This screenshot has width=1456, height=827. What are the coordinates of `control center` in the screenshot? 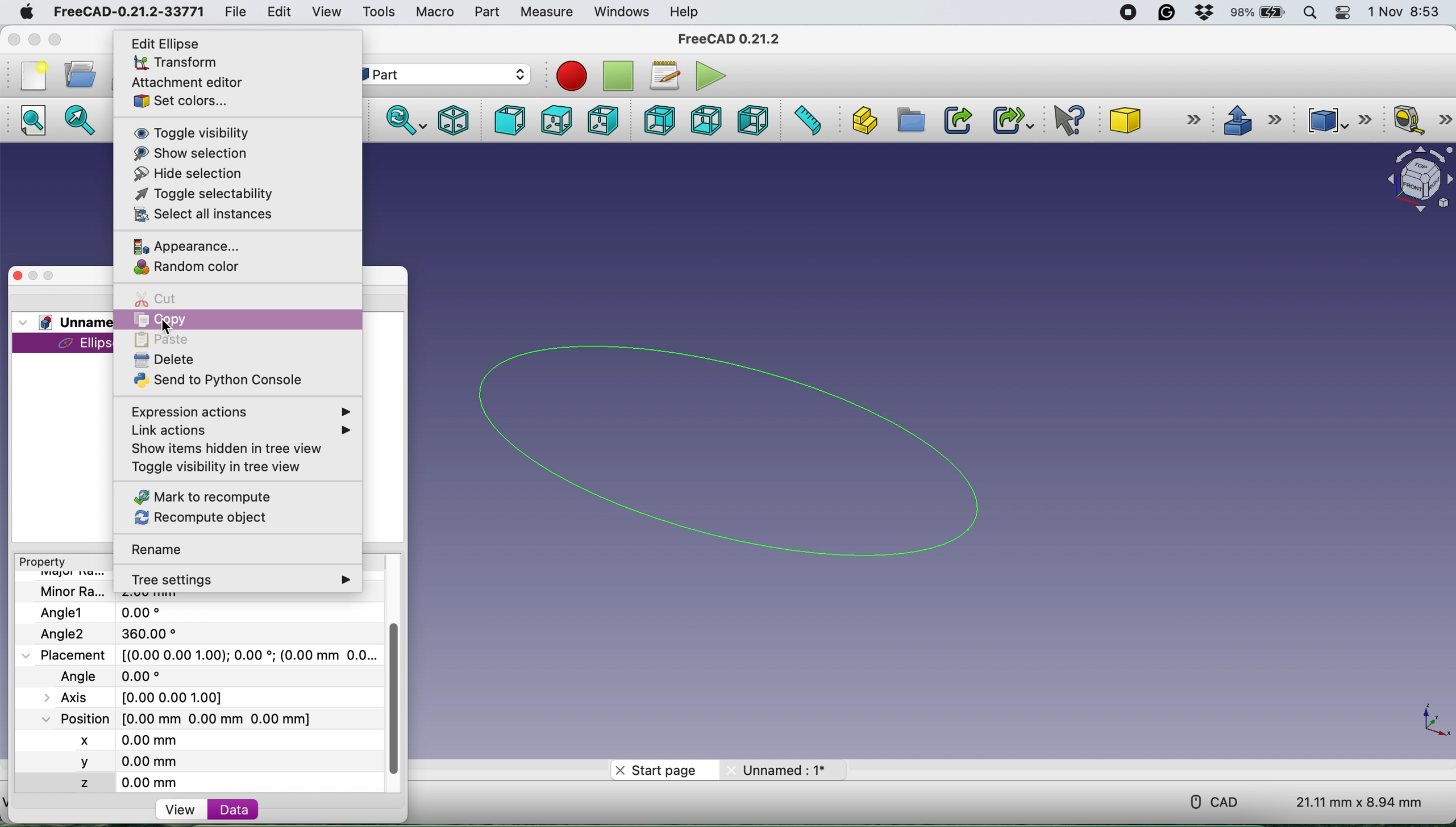 It's located at (1341, 13).